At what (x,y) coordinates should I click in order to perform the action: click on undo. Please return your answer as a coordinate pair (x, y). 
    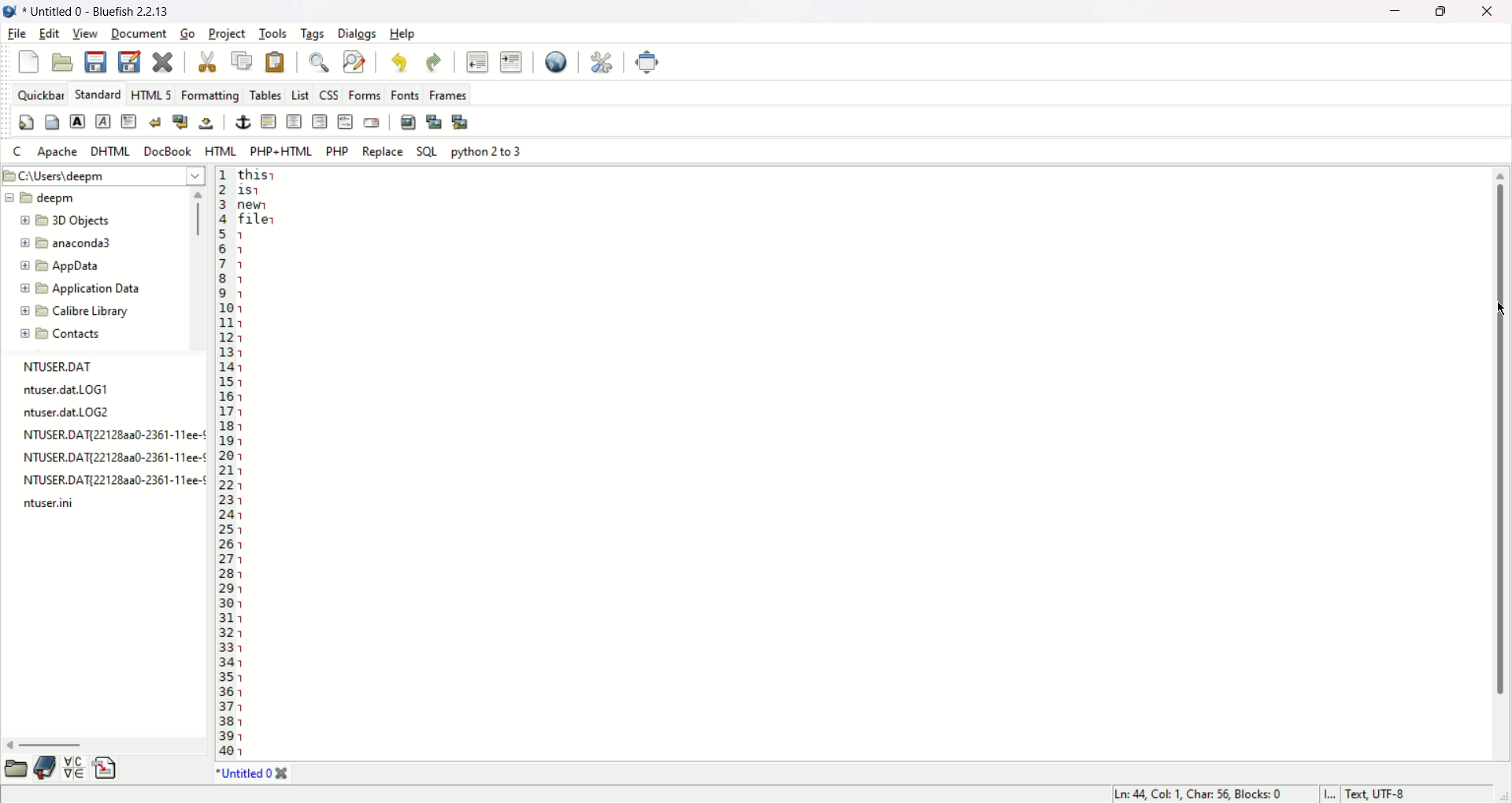
    Looking at the image, I should click on (402, 65).